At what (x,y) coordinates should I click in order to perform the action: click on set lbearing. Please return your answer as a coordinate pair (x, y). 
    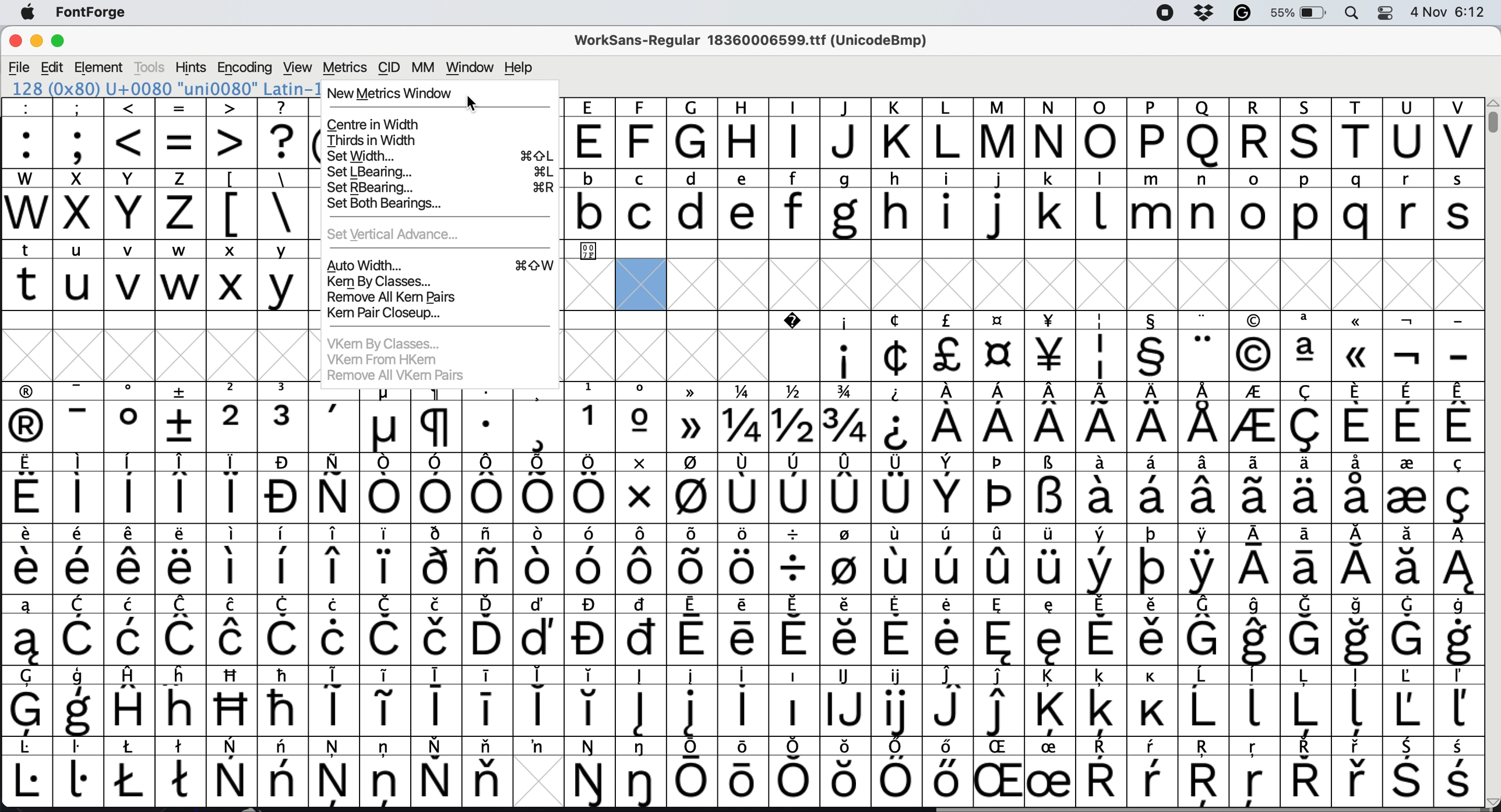
    Looking at the image, I should click on (440, 172).